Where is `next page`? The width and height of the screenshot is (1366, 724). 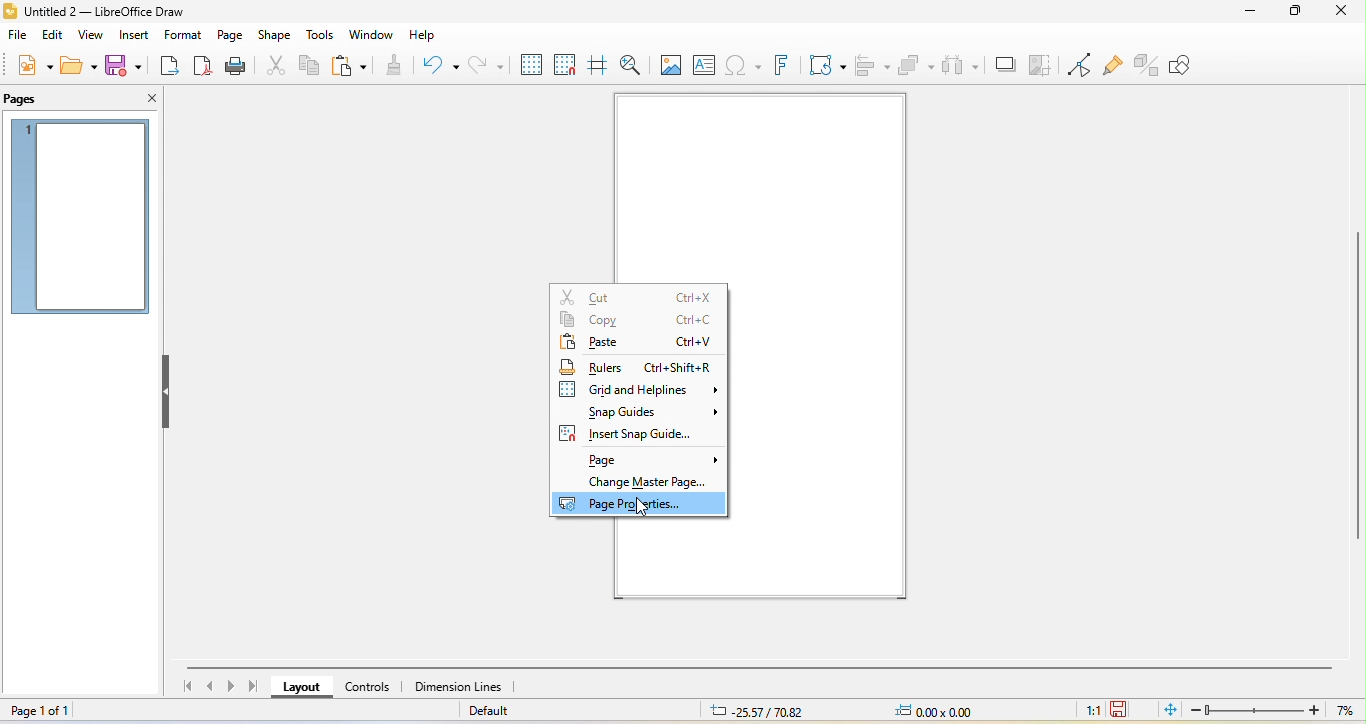 next page is located at coordinates (234, 687).